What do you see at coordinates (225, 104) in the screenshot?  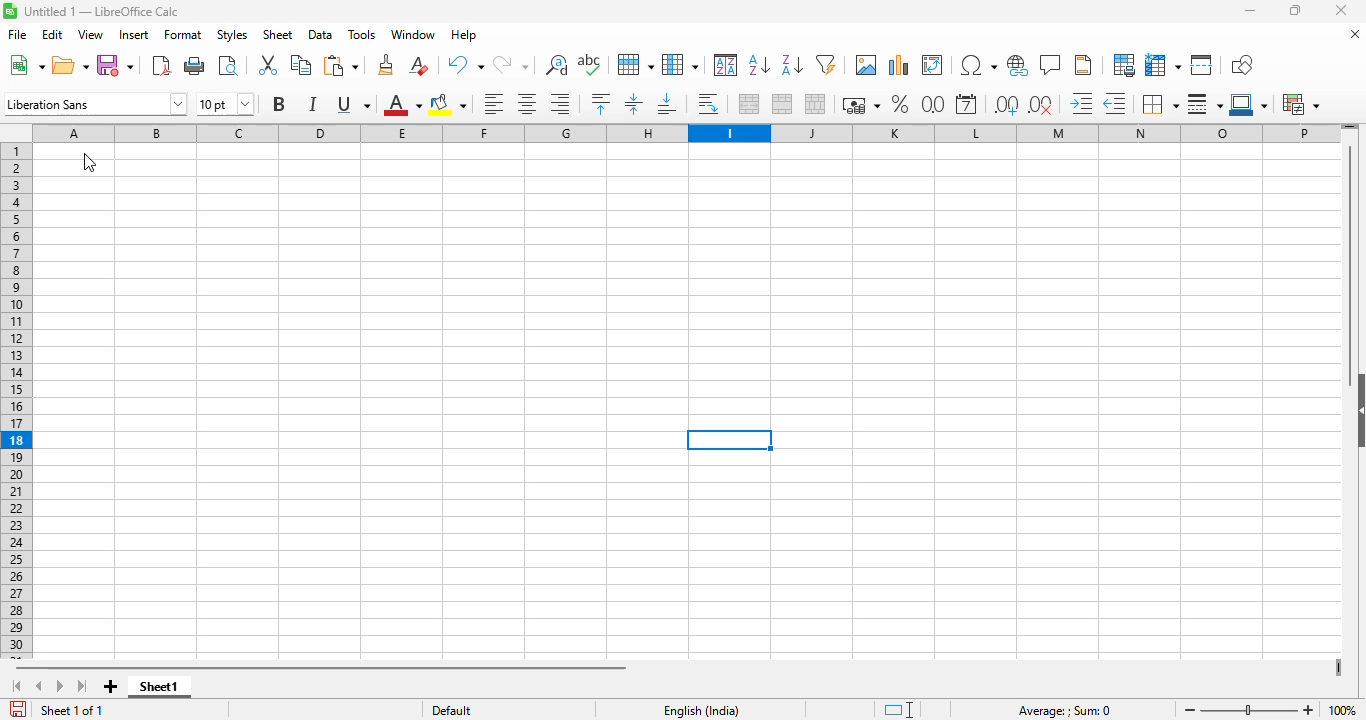 I see `font size` at bounding box center [225, 104].